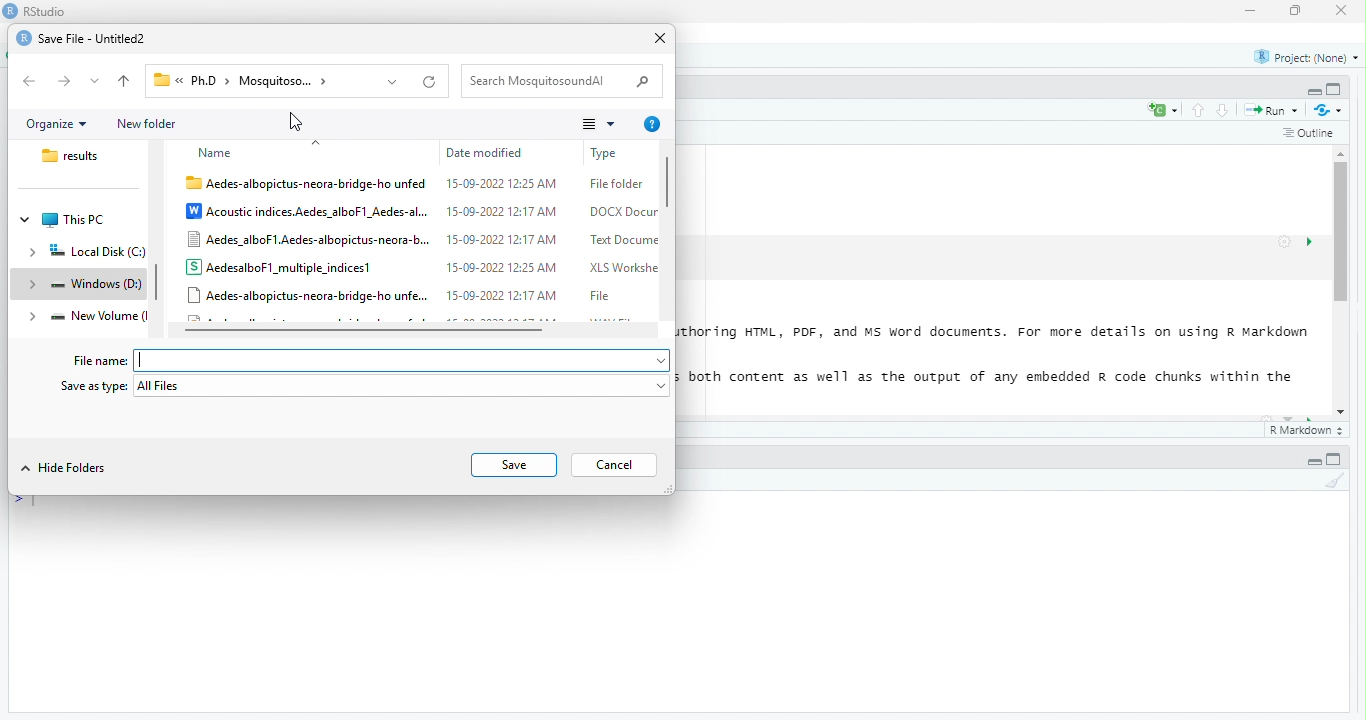 This screenshot has width=1366, height=720. Describe the element at coordinates (667, 231) in the screenshot. I see `scrollbar` at that location.